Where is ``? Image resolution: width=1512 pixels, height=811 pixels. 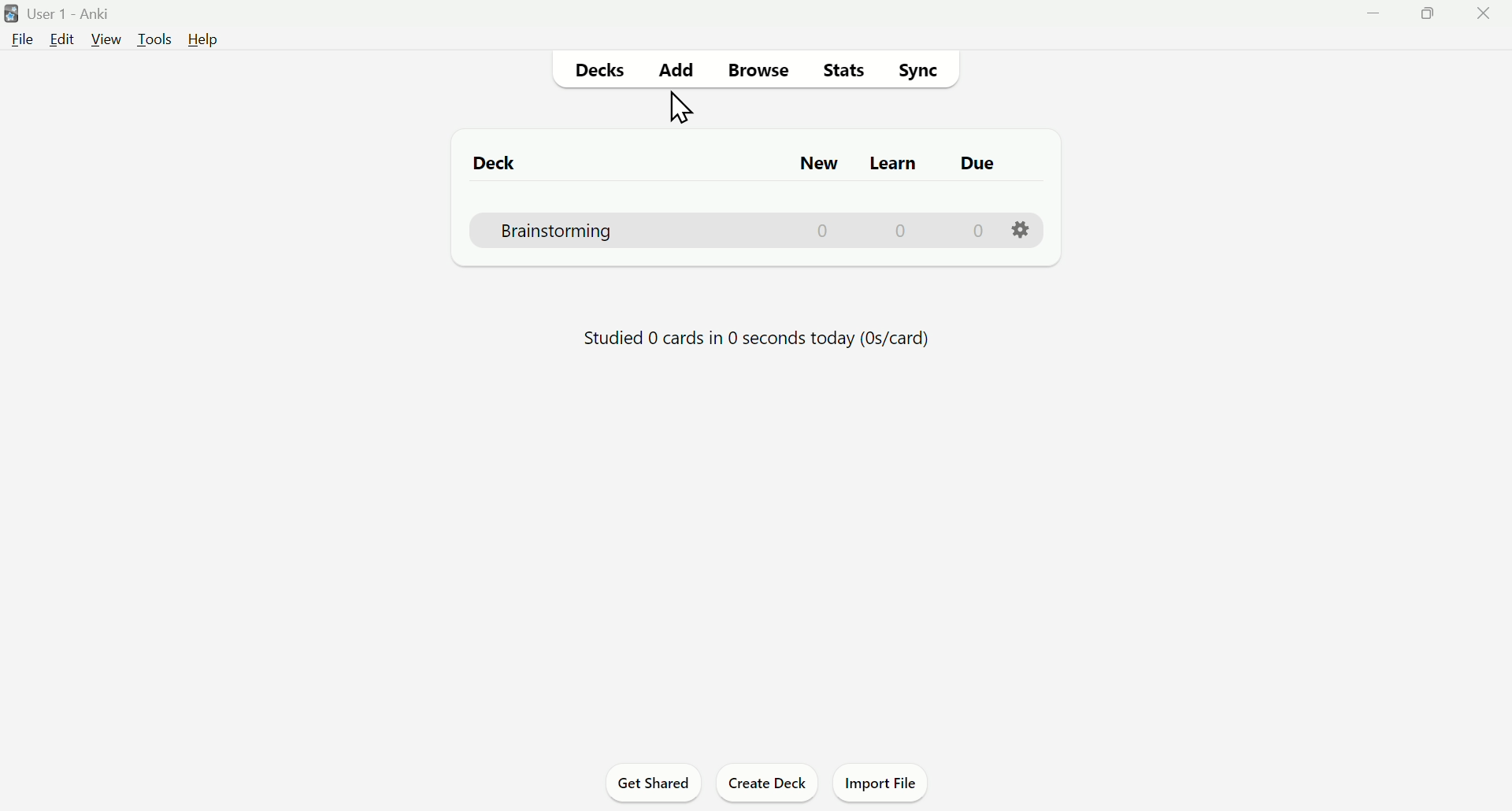
 is located at coordinates (24, 39).